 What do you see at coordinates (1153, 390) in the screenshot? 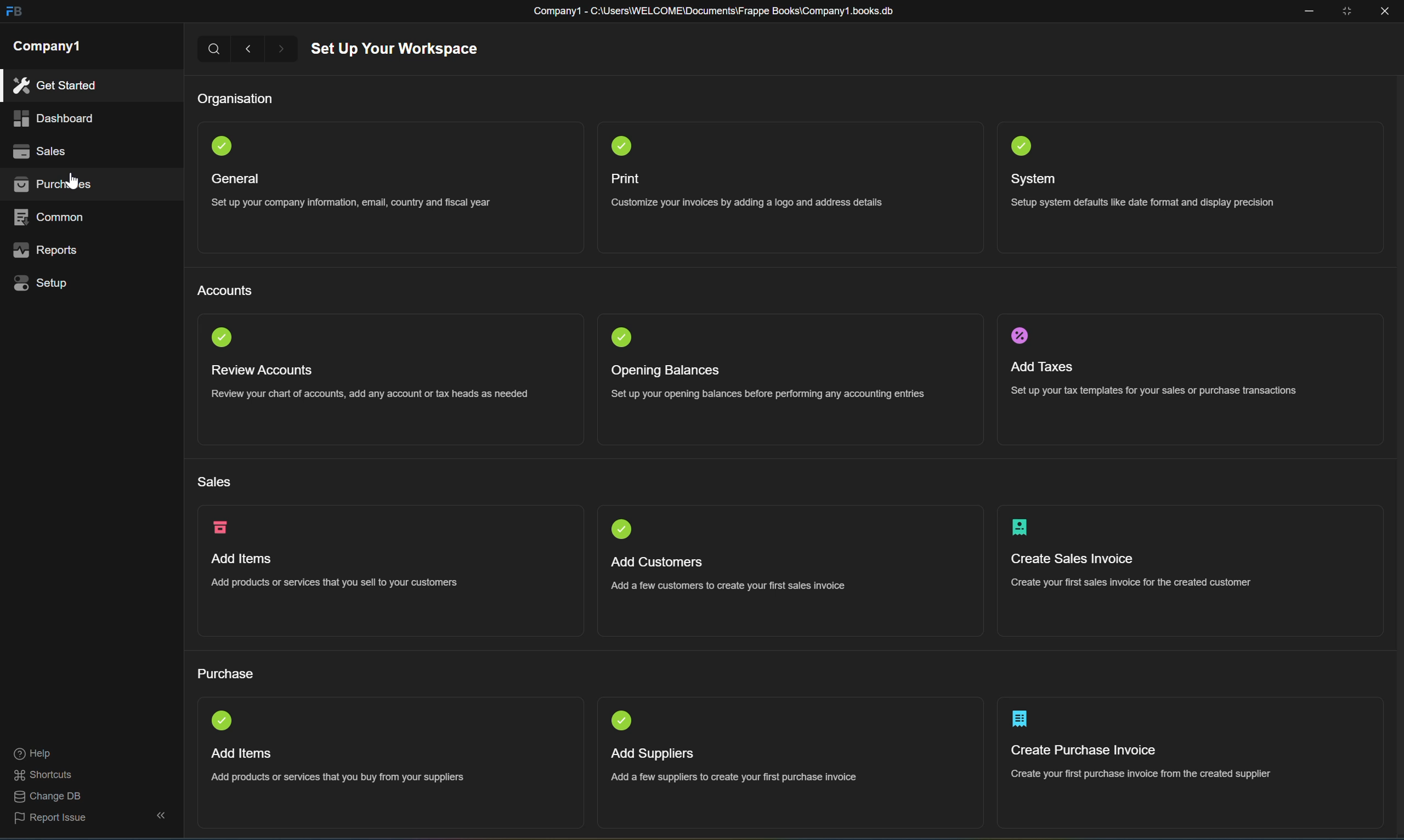
I see `set up your tax templates for your sales or purchase transactions` at bounding box center [1153, 390].